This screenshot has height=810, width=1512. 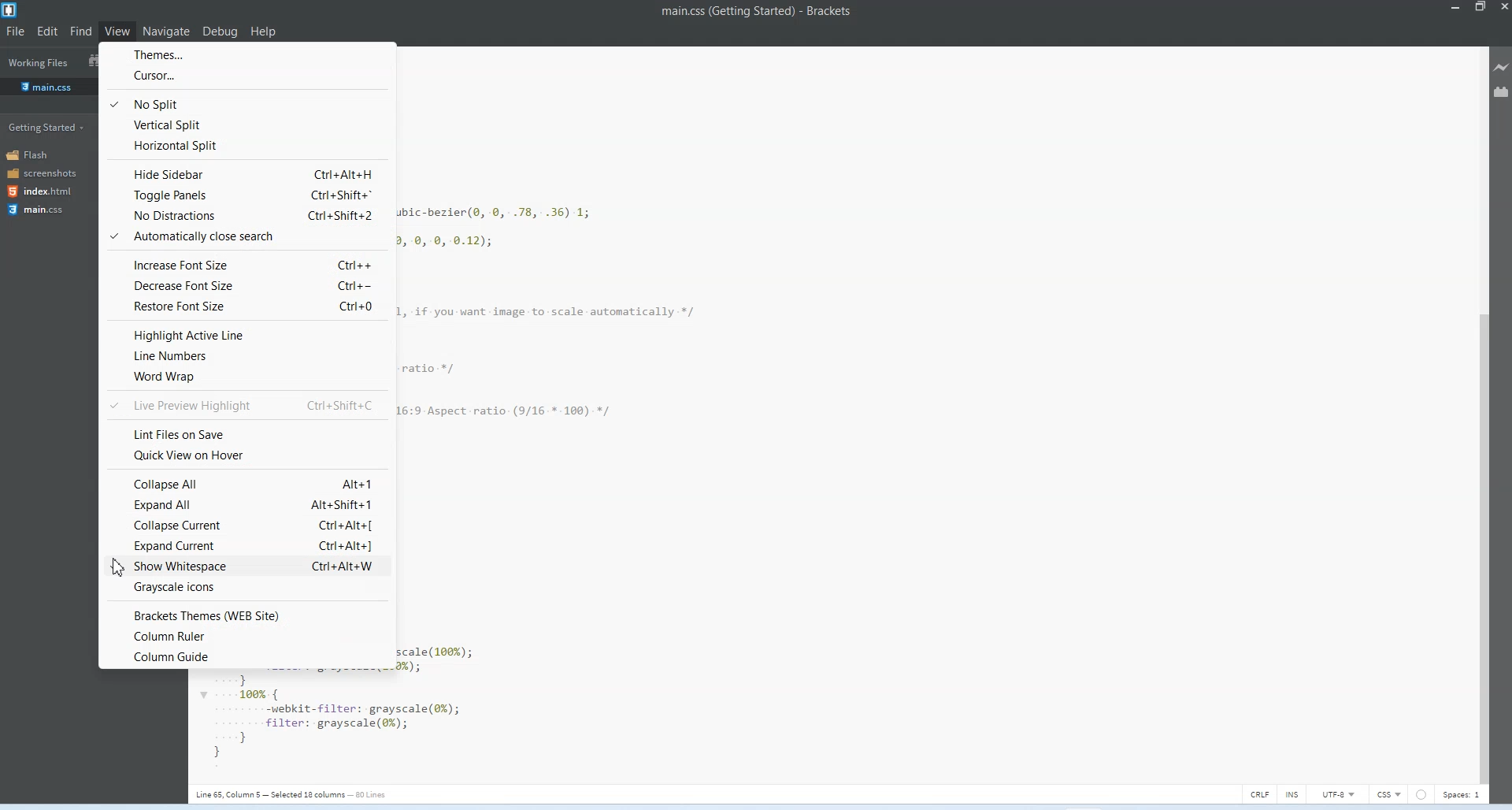 What do you see at coordinates (303, 794) in the screenshot?
I see `| Line 65, Column 5 — Selected 12 columas — 50 Lines.` at bounding box center [303, 794].